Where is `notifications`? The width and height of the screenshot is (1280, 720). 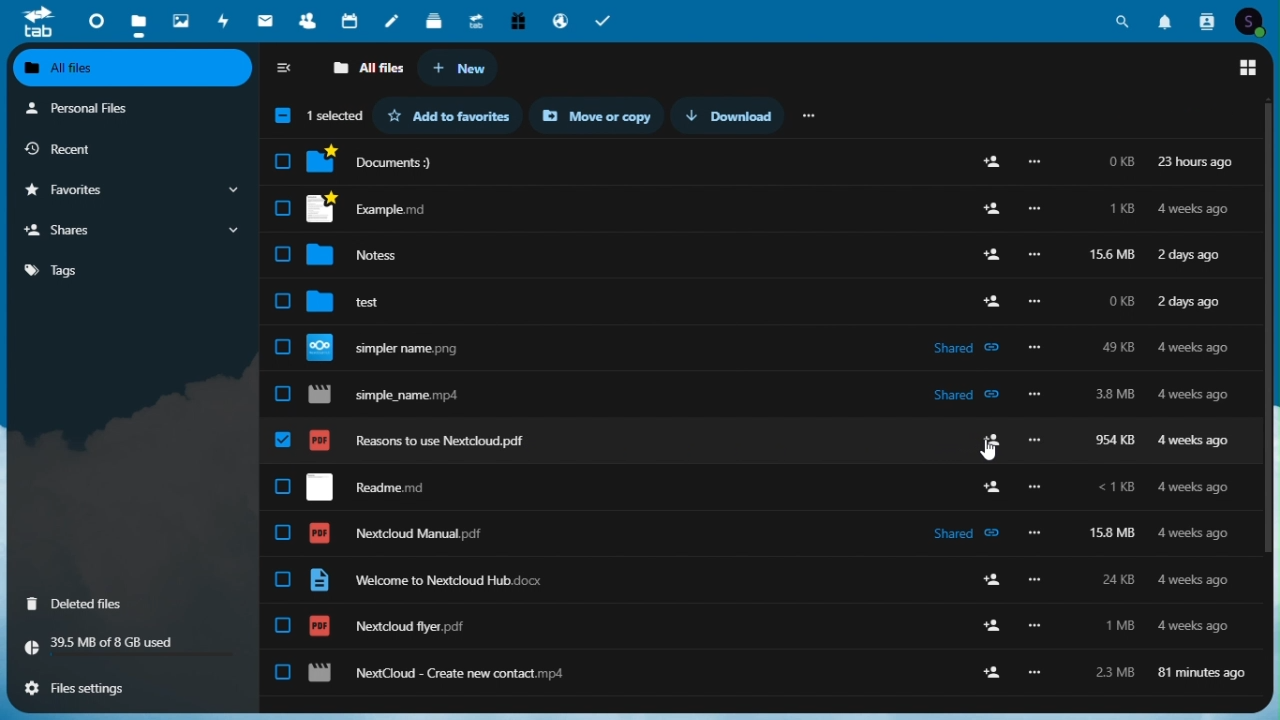
notifications is located at coordinates (1166, 20).